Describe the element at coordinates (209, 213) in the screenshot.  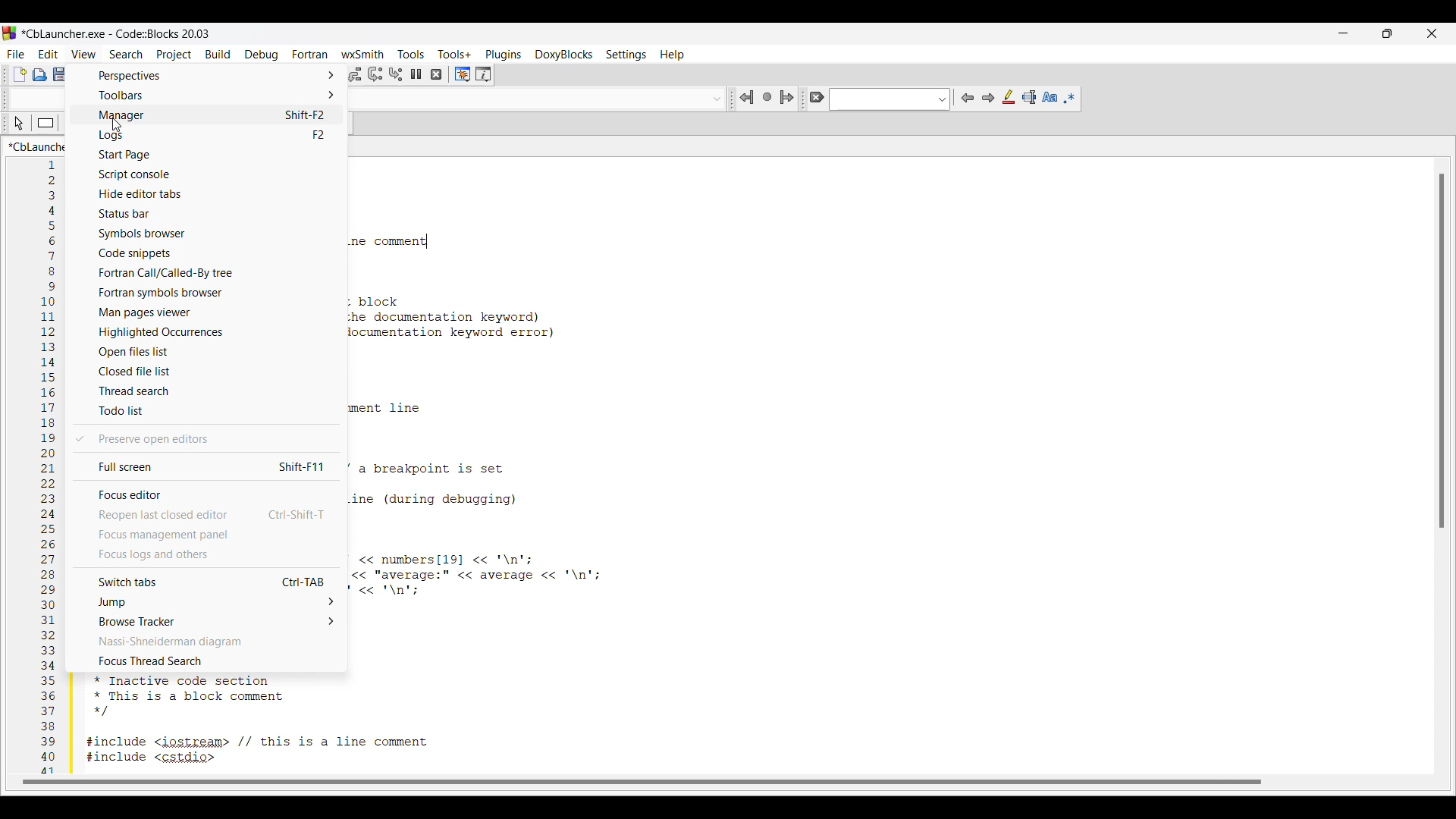
I see `Status bar` at that location.